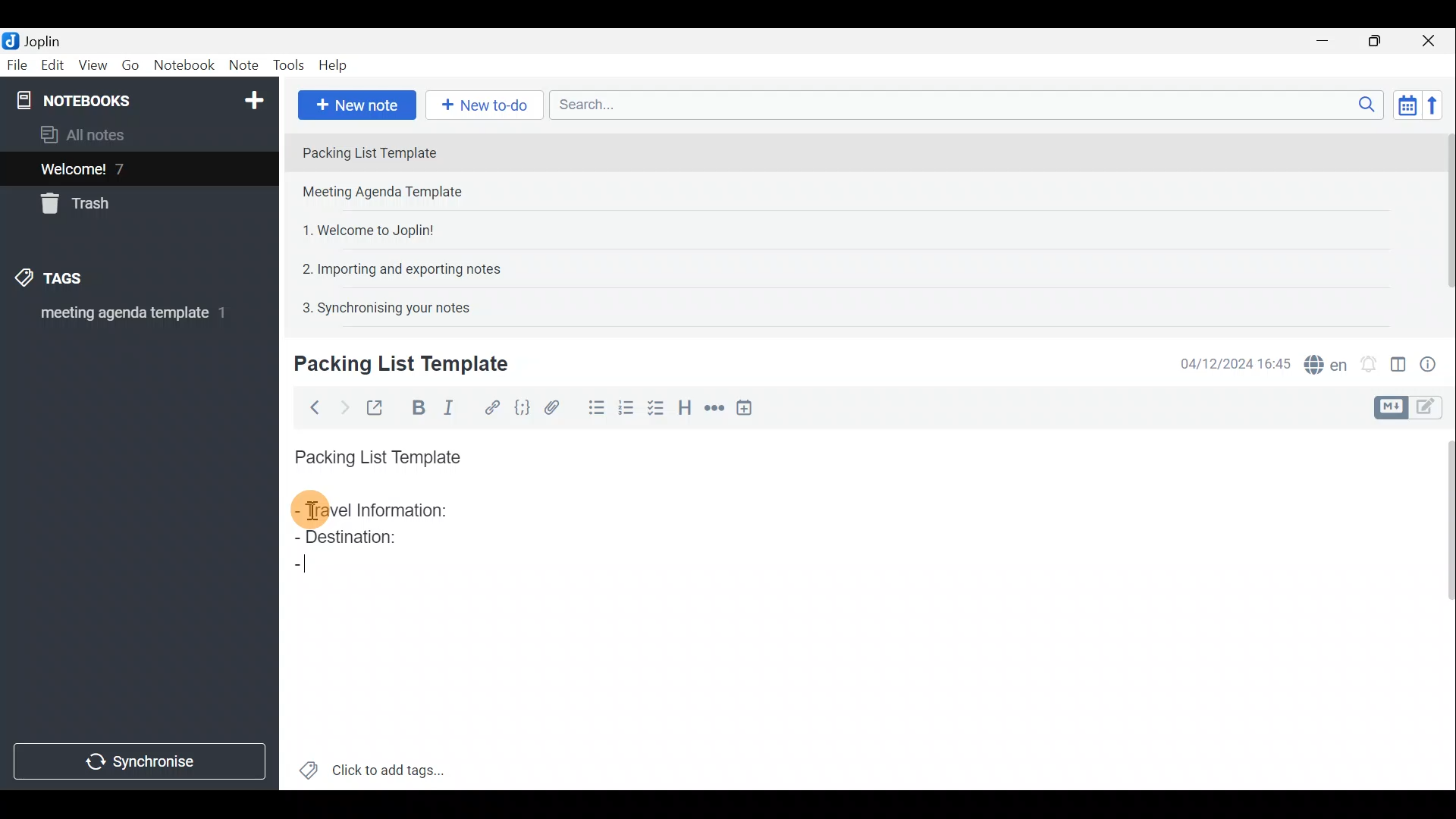 The height and width of the screenshot is (819, 1456). I want to click on Checkbox, so click(661, 412).